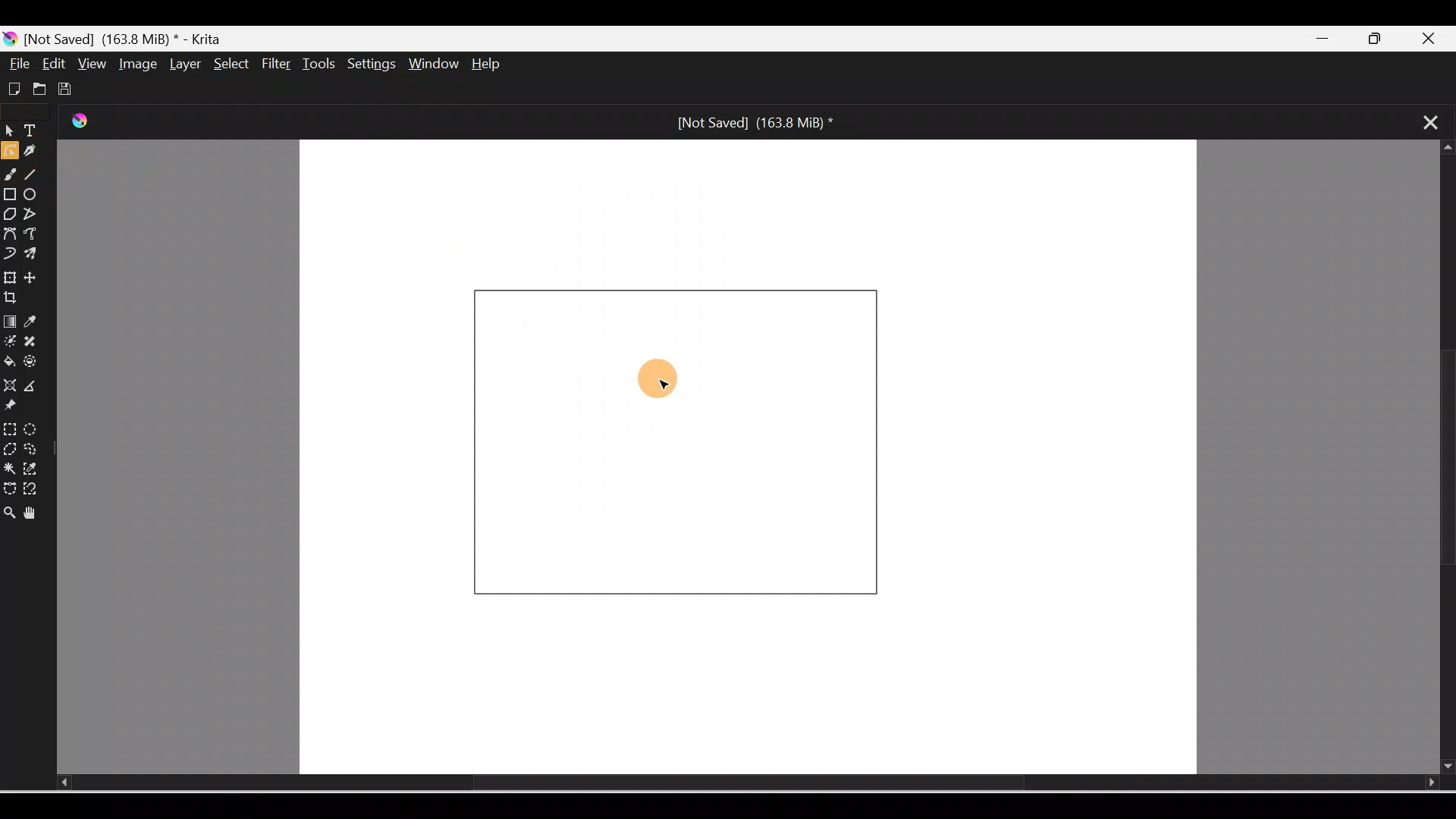 This screenshot has width=1456, height=819. I want to click on Polyline, so click(33, 213).